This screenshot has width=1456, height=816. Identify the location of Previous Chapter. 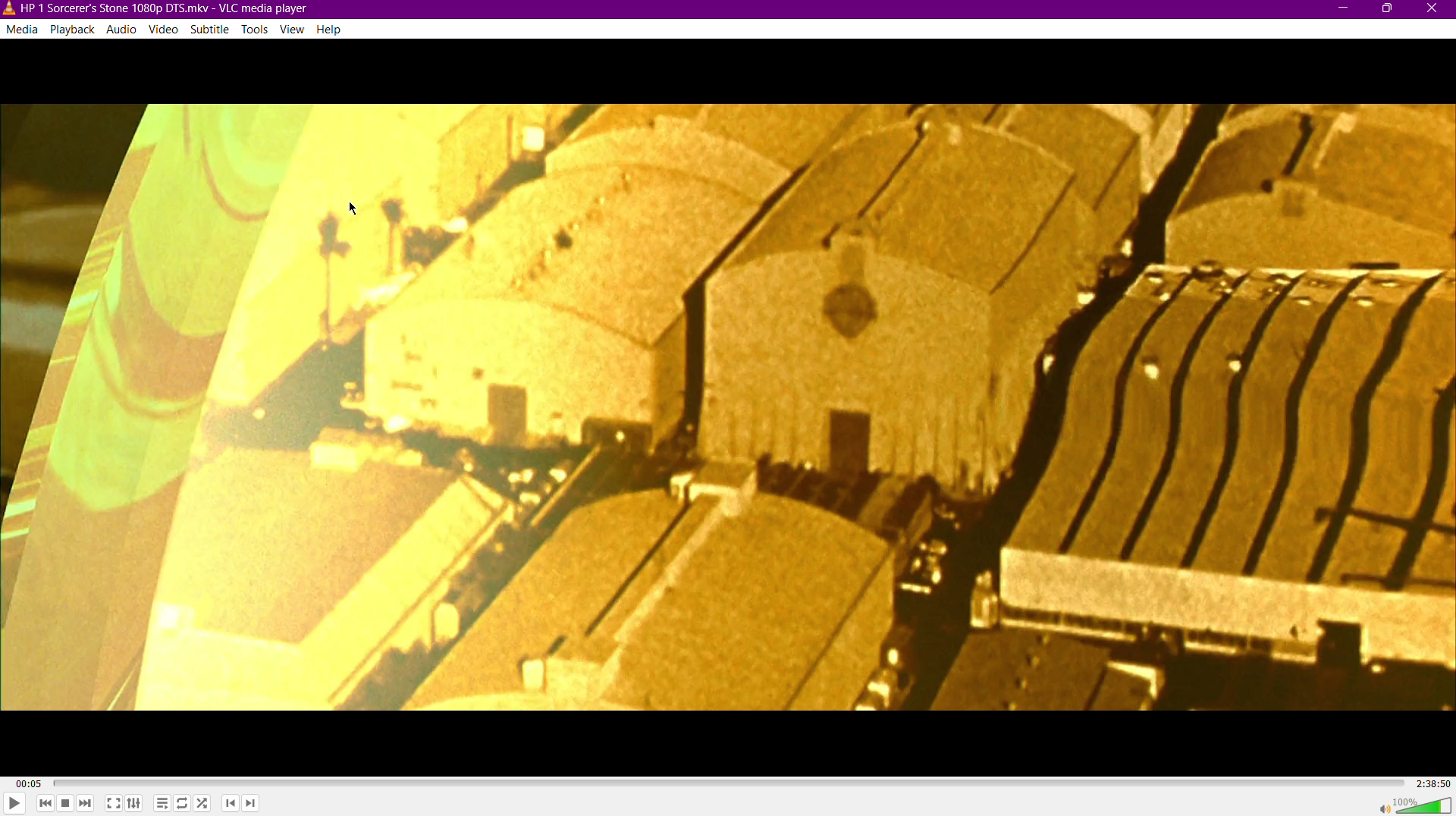
(231, 804).